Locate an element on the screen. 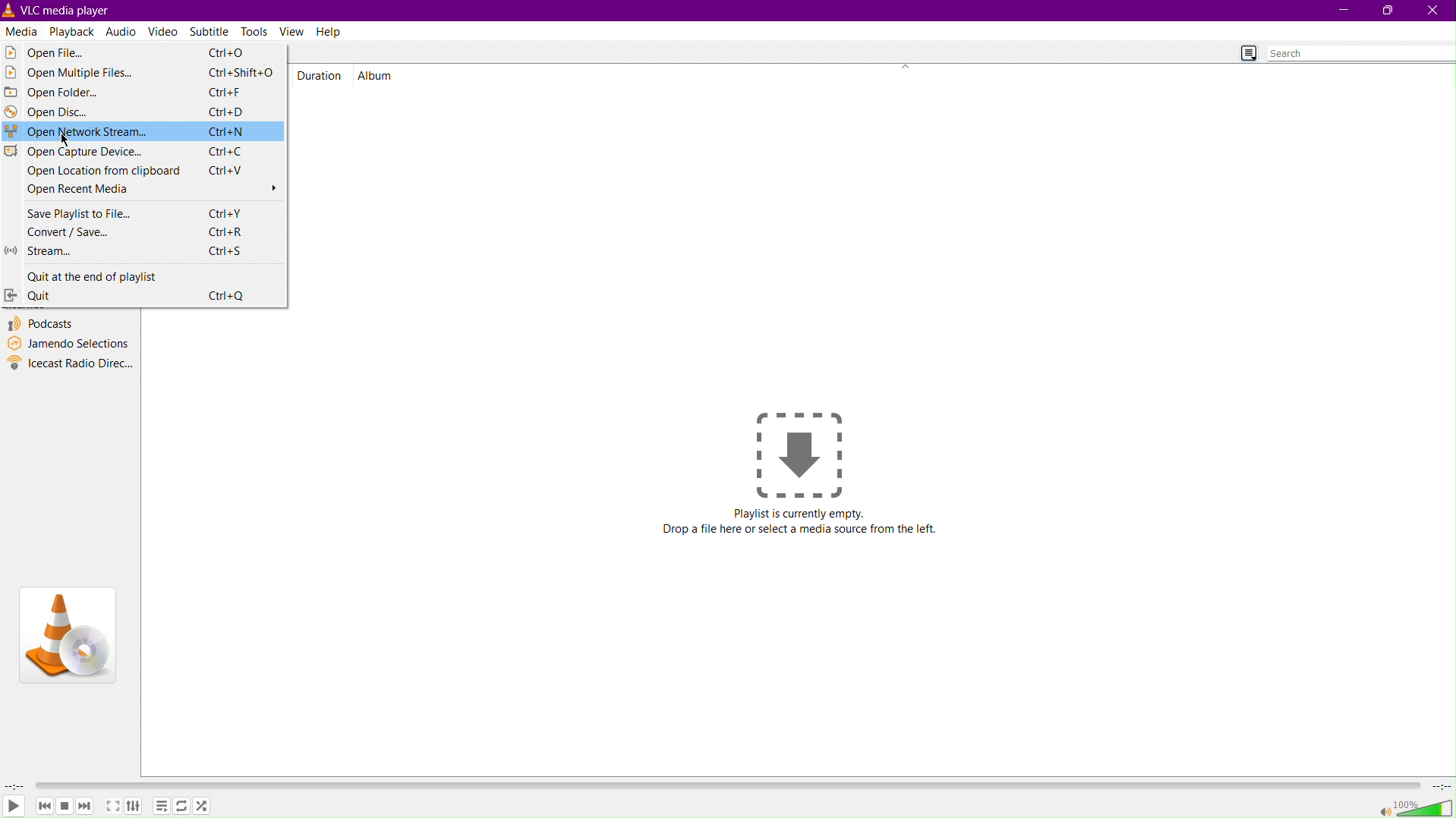 This screenshot has height=818, width=1456. Open File is located at coordinates (71, 52).